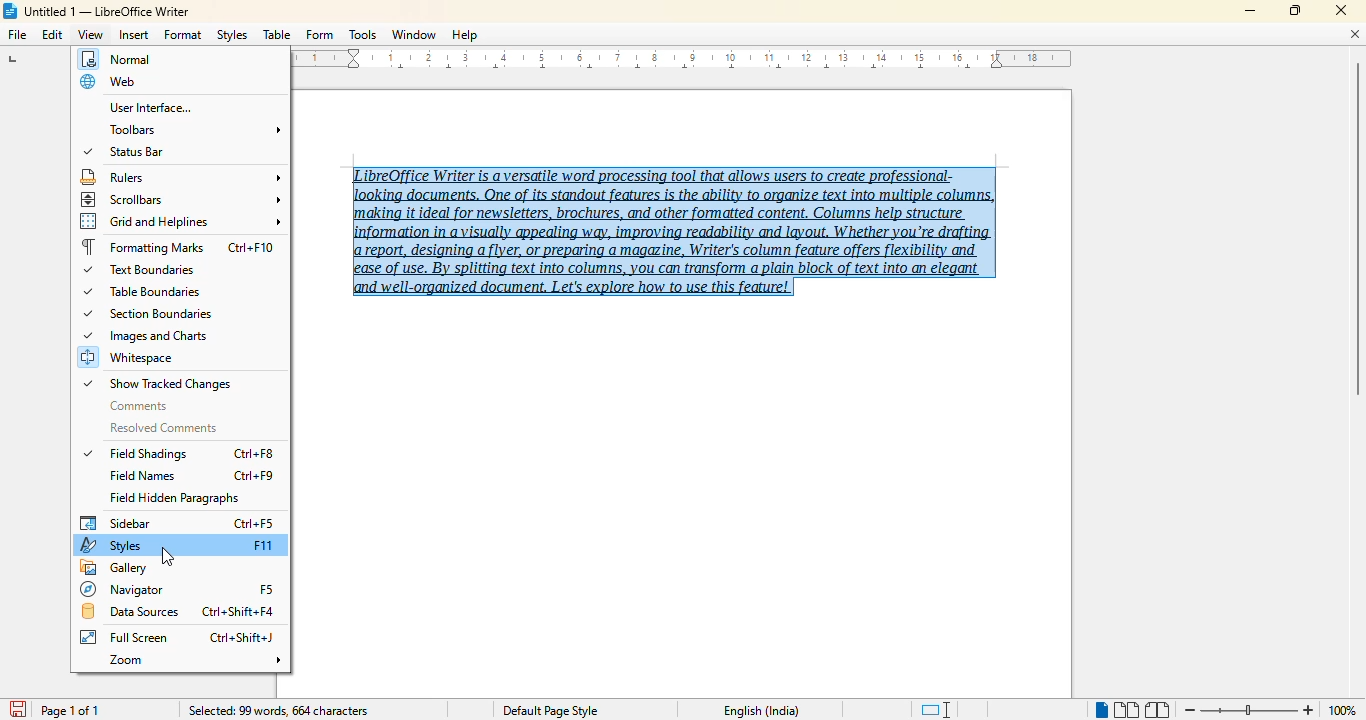 The width and height of the screenshot is (1366, 720). What do you see at coordinates (277, 35) in the screenshot?
I see `table` at bounding box center [277, 35].